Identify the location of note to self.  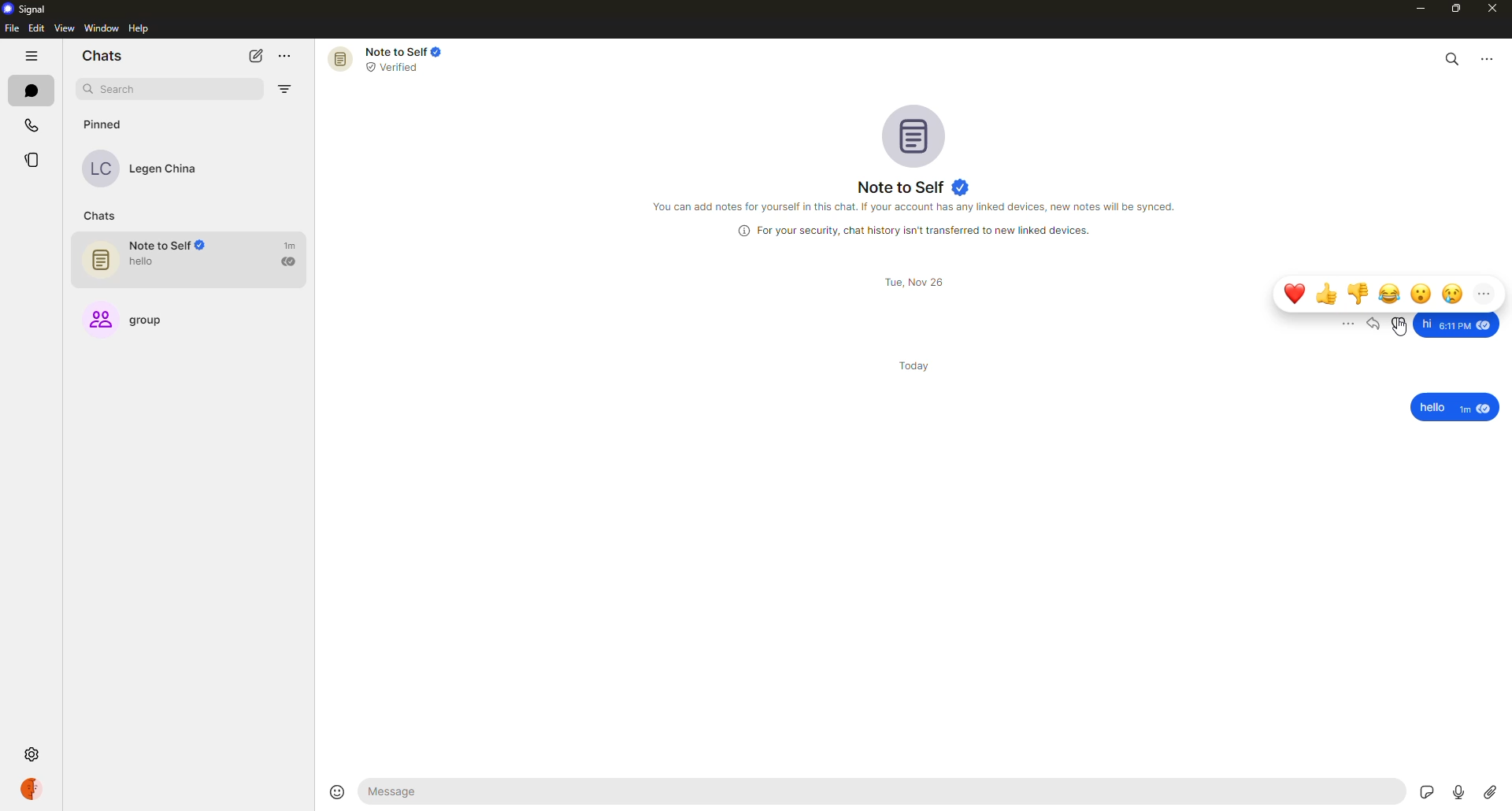
(391, 58).